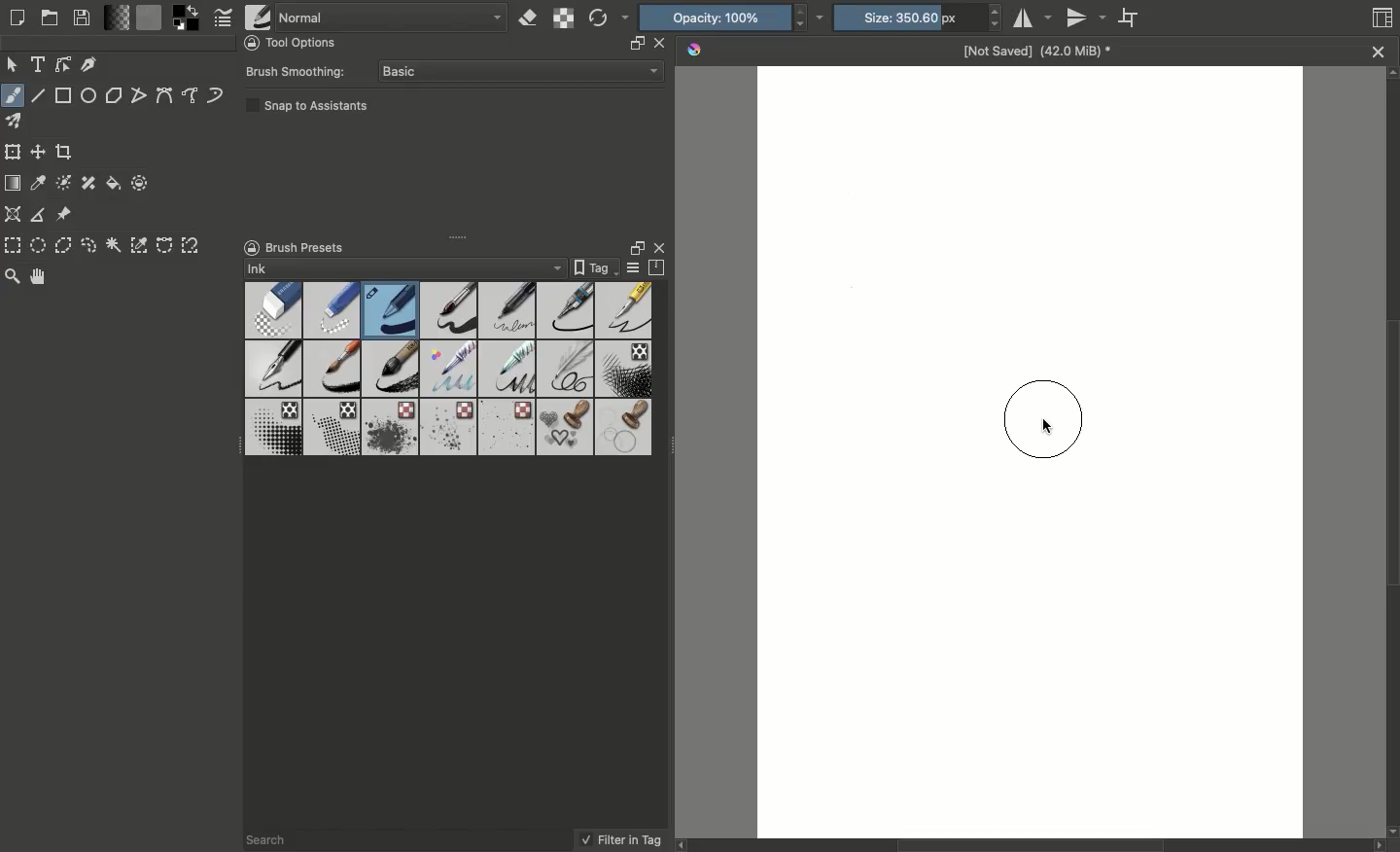  What do you see at coordinates (308, 110) in the screenshot?
I see `Snap to assistants` at bounding box center [308, 110].